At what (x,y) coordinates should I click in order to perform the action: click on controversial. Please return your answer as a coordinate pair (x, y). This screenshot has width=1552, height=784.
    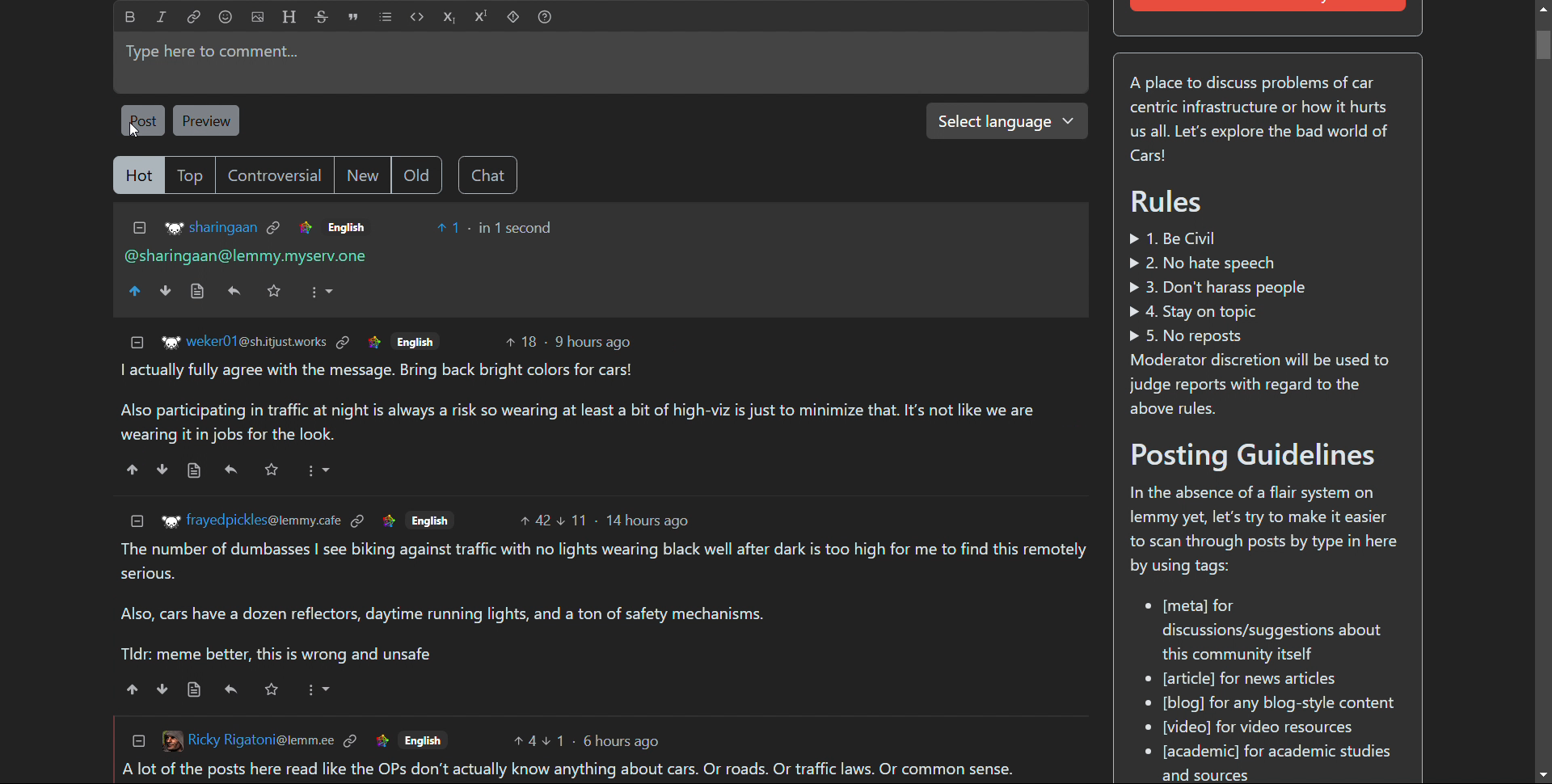
    Looking at the image, I should click on (273, 175).